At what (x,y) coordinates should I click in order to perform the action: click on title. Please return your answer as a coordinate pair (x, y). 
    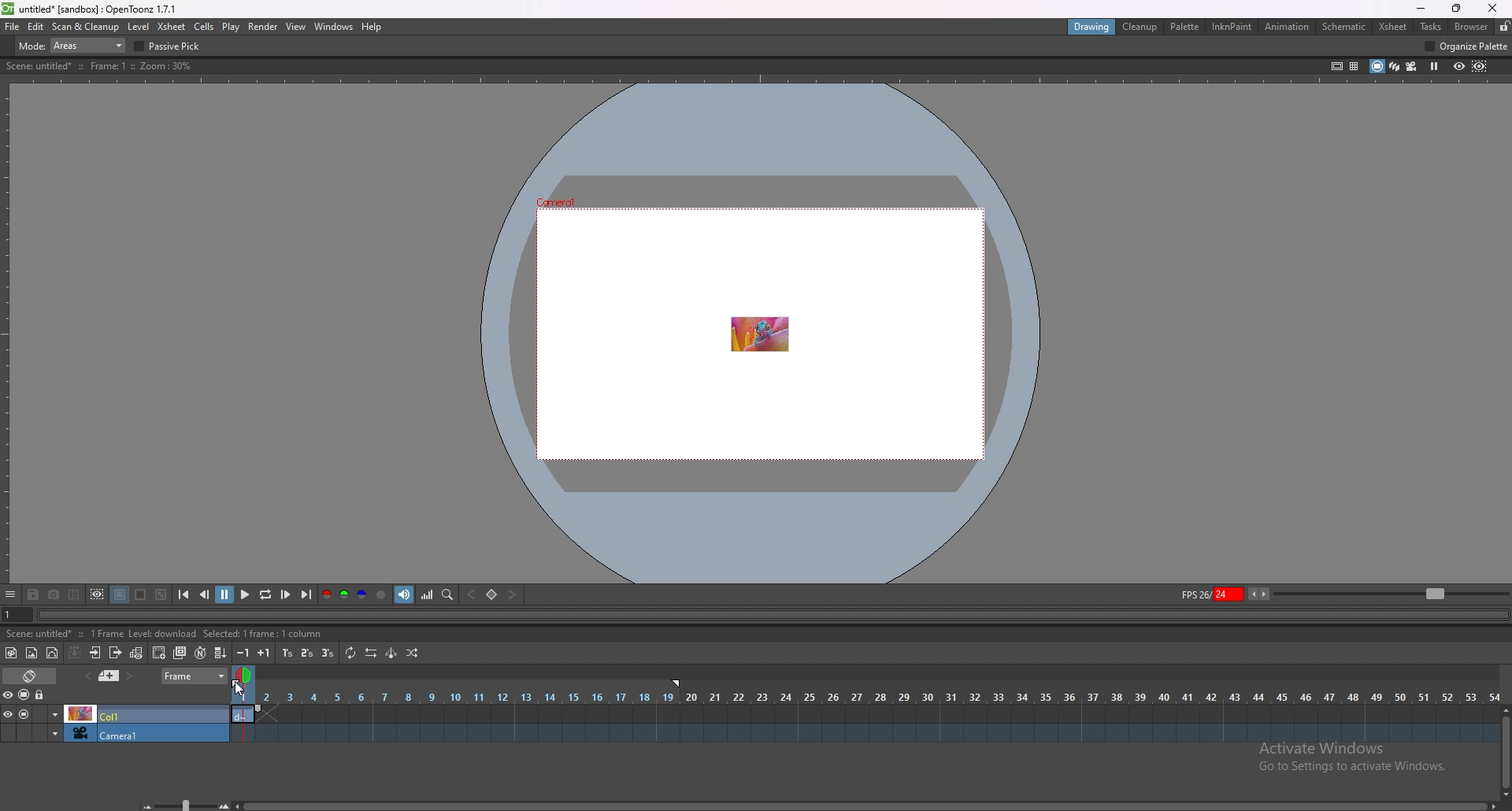
    Looking at the image, I should click on (92, 9).